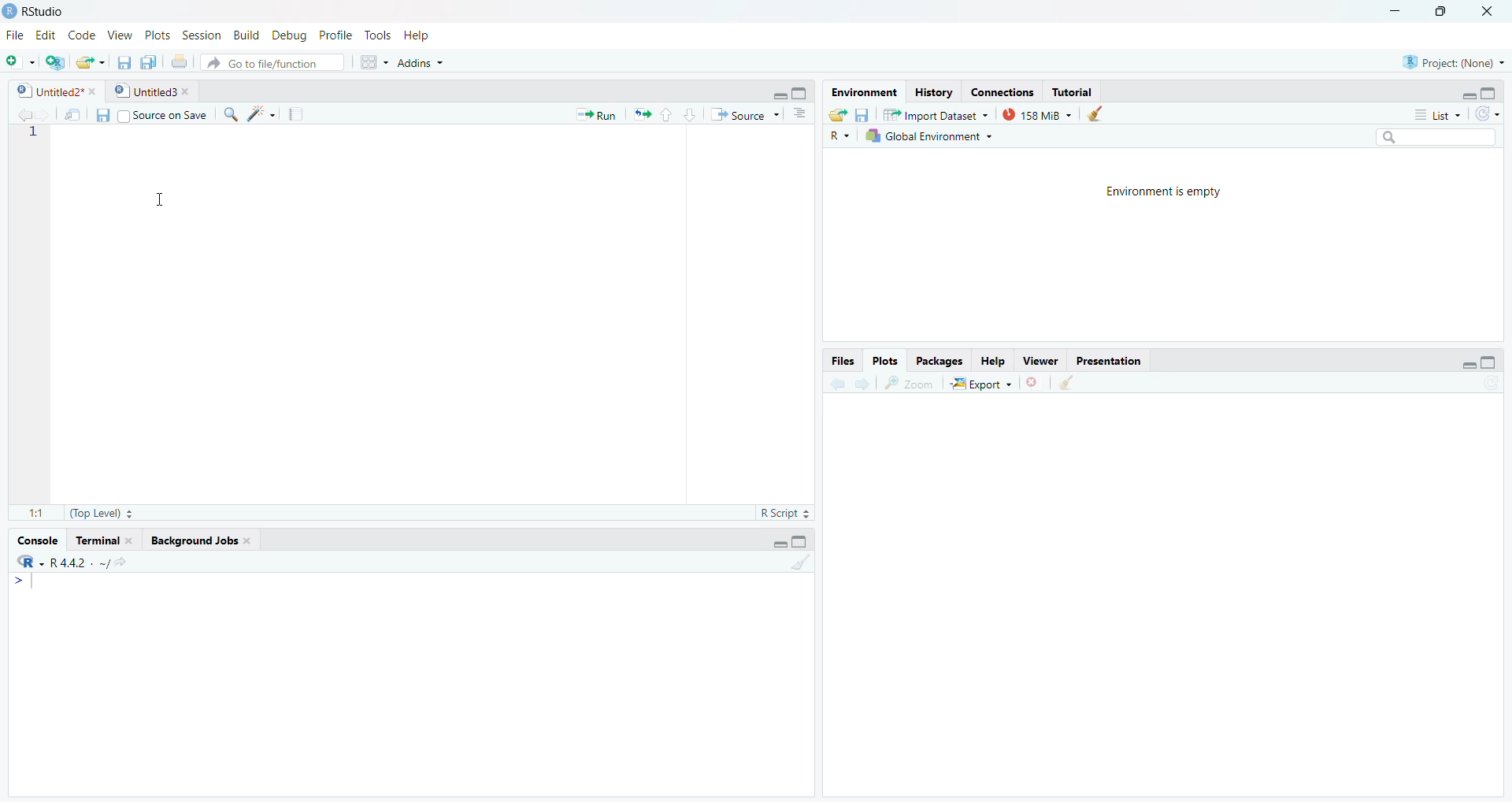 The height and width of the screenshot is (802, 1512). What do you see at coordinates (124, 60) in the screenshot?
I see `Save current document` at bounding box center [124, 60].